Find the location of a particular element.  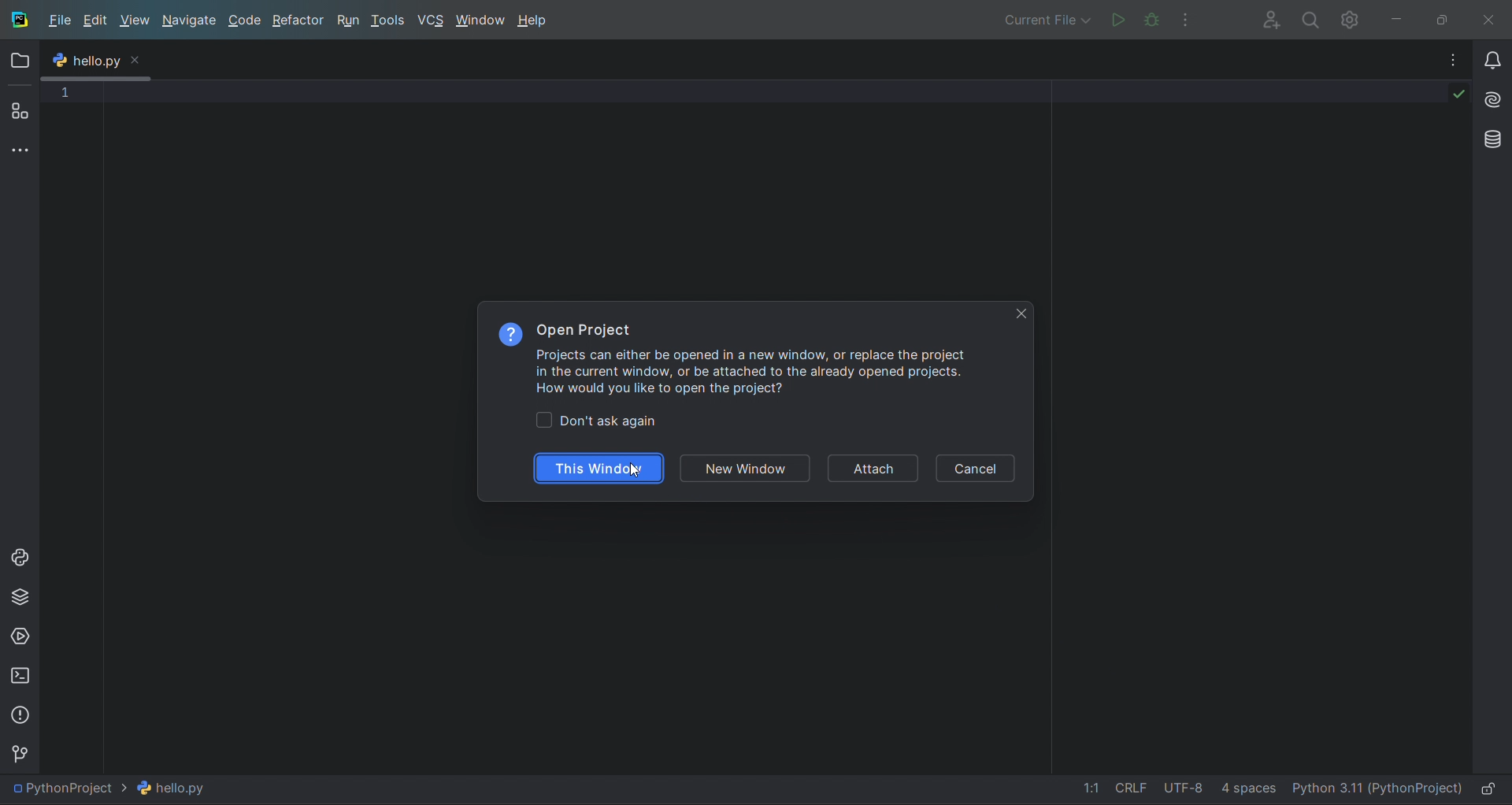

services is located at coordinates (20, 636).